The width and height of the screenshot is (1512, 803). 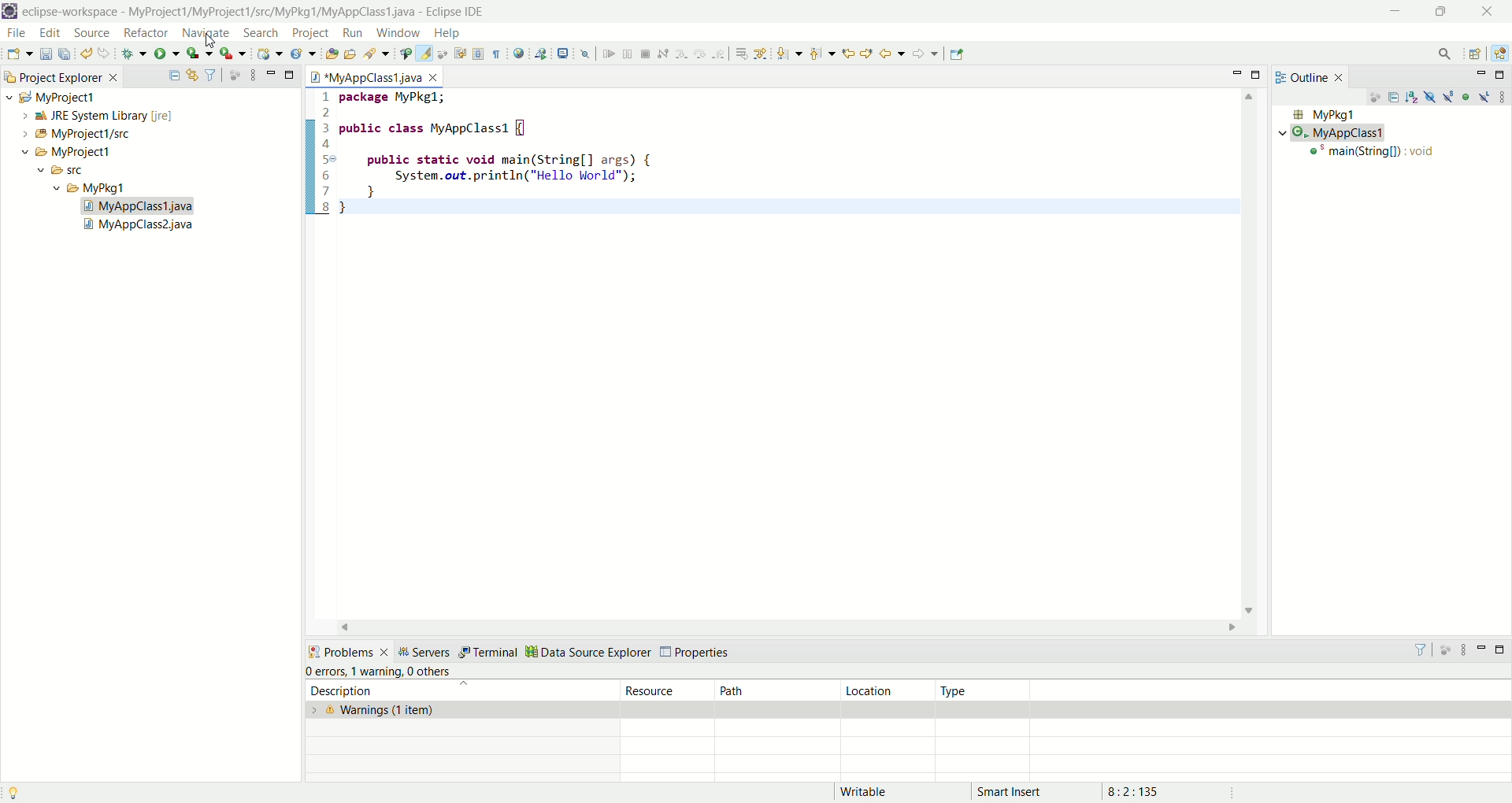 What do you see at coordinates (958, 54) in the screenshot?
I see `Pin editor` at bounding box center [958, 54].